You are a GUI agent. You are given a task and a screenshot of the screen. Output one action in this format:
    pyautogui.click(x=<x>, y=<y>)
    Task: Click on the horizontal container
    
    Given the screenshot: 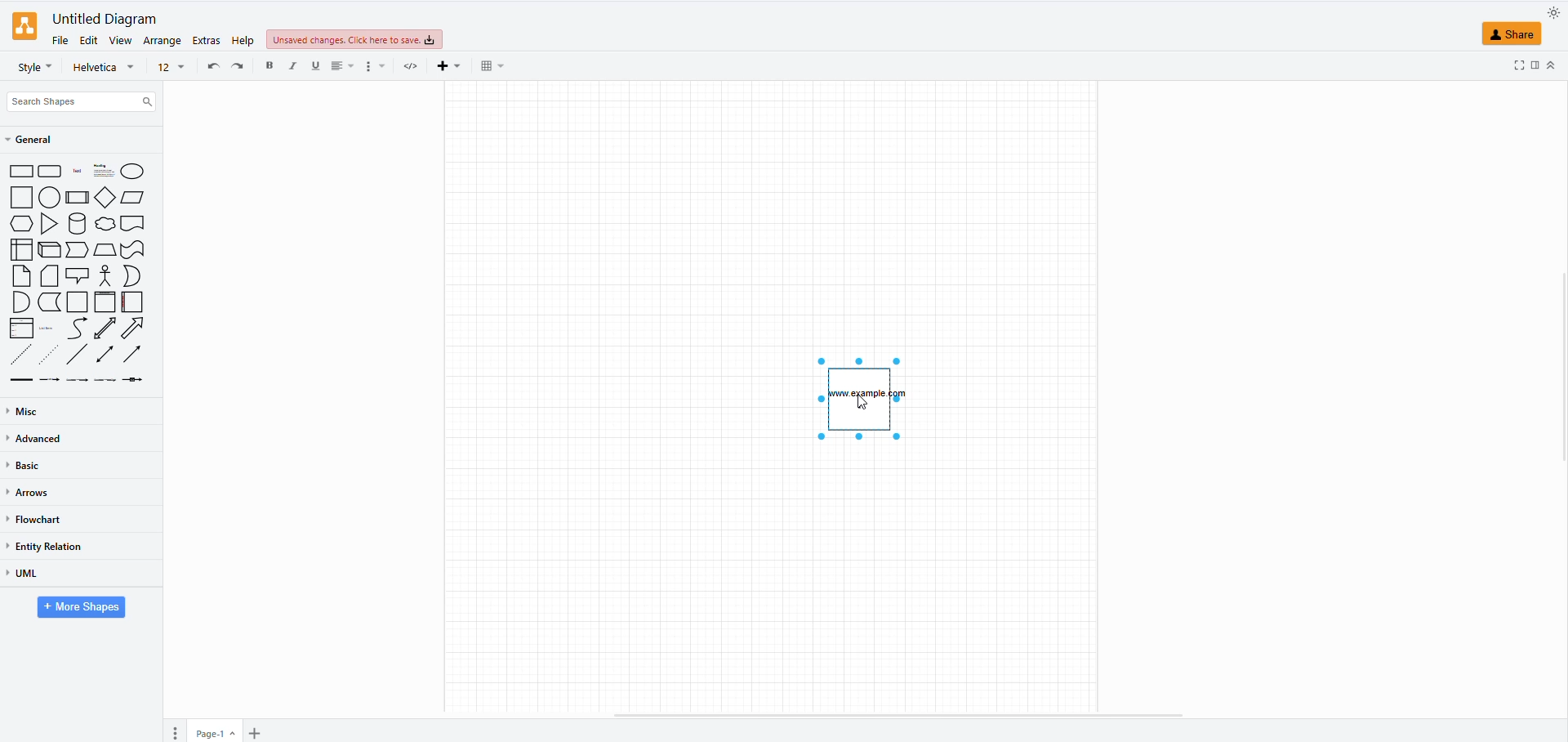 What is the action you would take?
    pyautogui.click(x=131, y=302)
    